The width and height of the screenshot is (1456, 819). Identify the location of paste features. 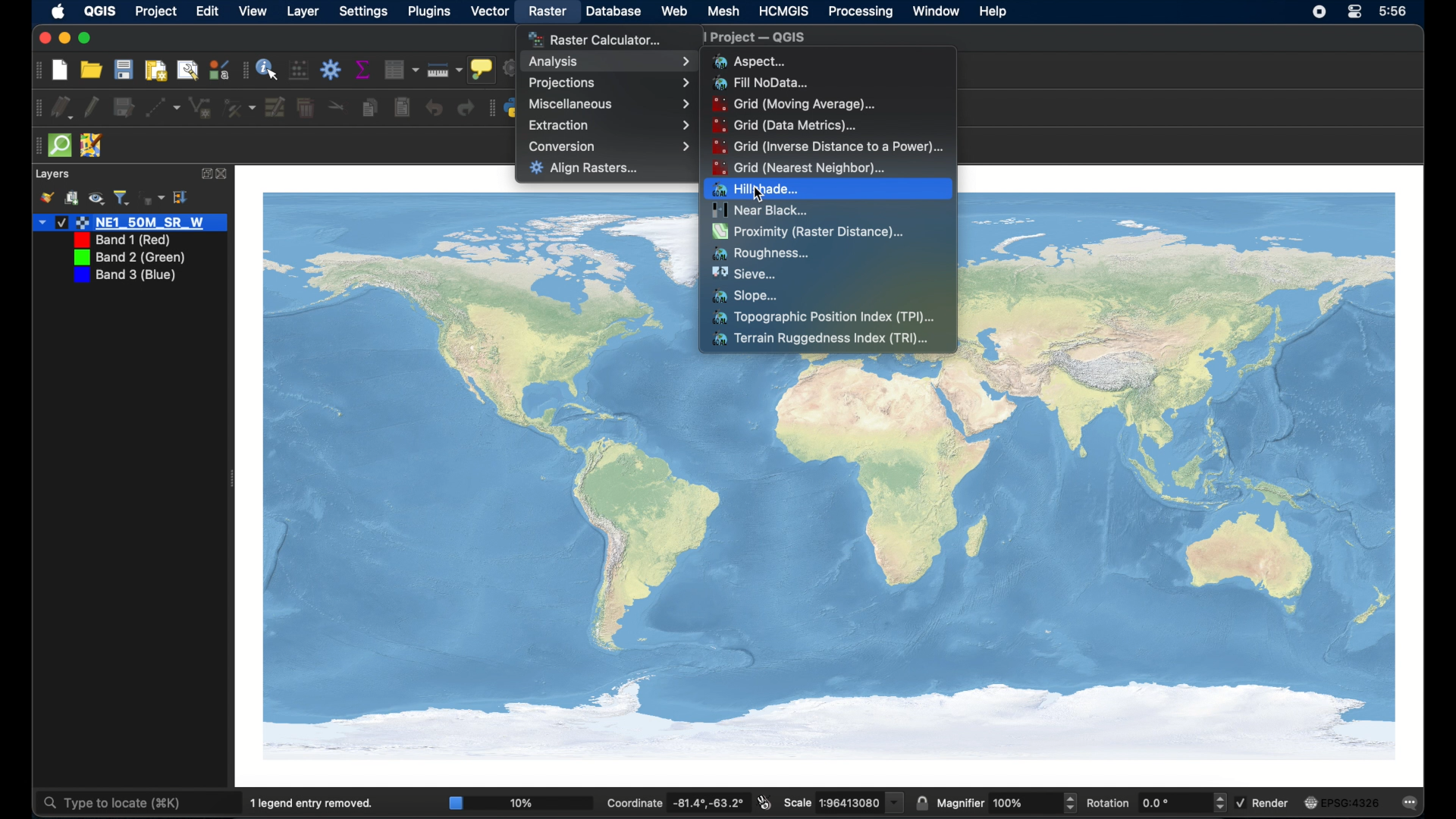
(401, 106).